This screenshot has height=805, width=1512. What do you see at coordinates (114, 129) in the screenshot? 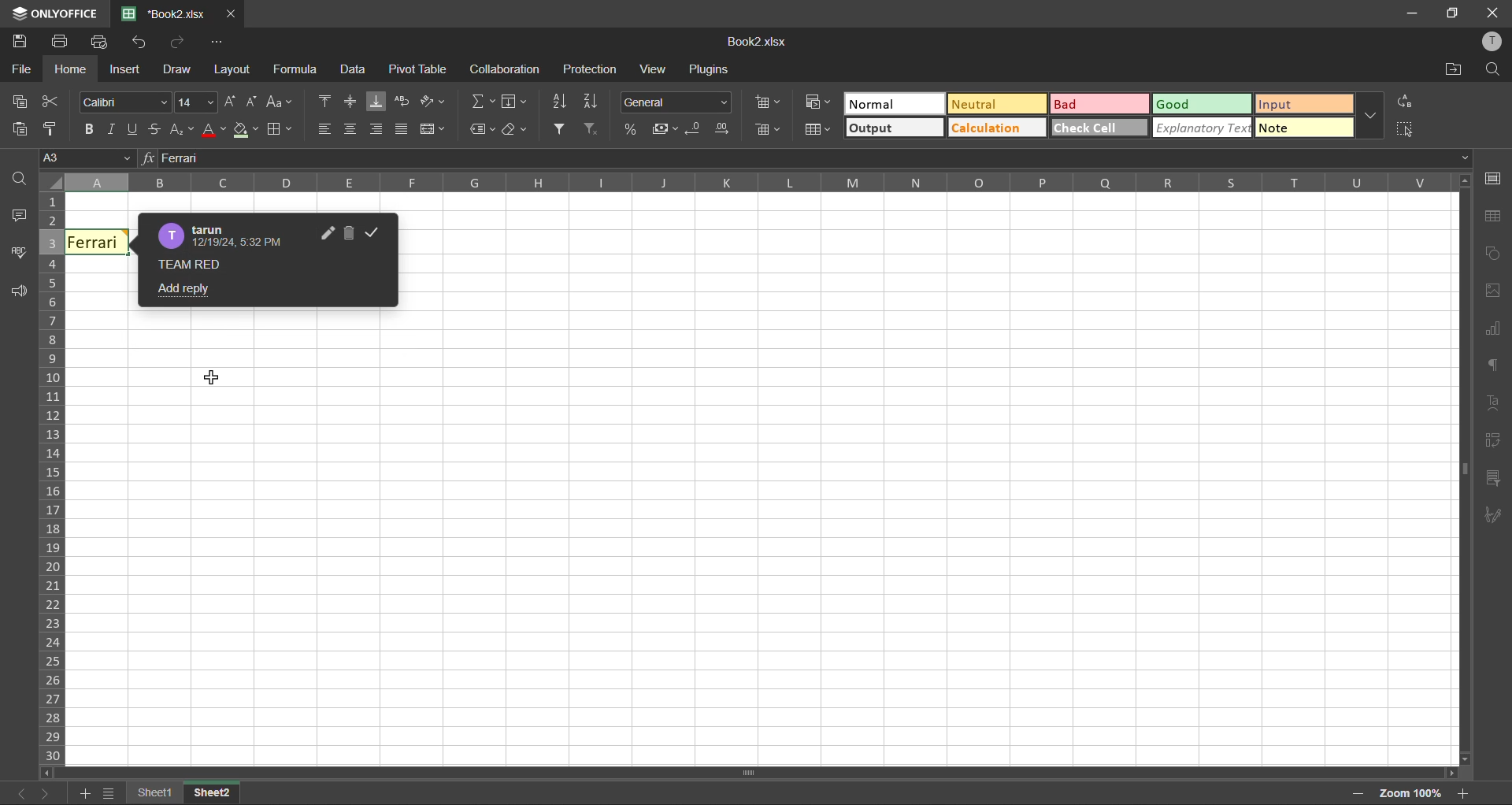
I see `italic` at bounding box center [114, 129].